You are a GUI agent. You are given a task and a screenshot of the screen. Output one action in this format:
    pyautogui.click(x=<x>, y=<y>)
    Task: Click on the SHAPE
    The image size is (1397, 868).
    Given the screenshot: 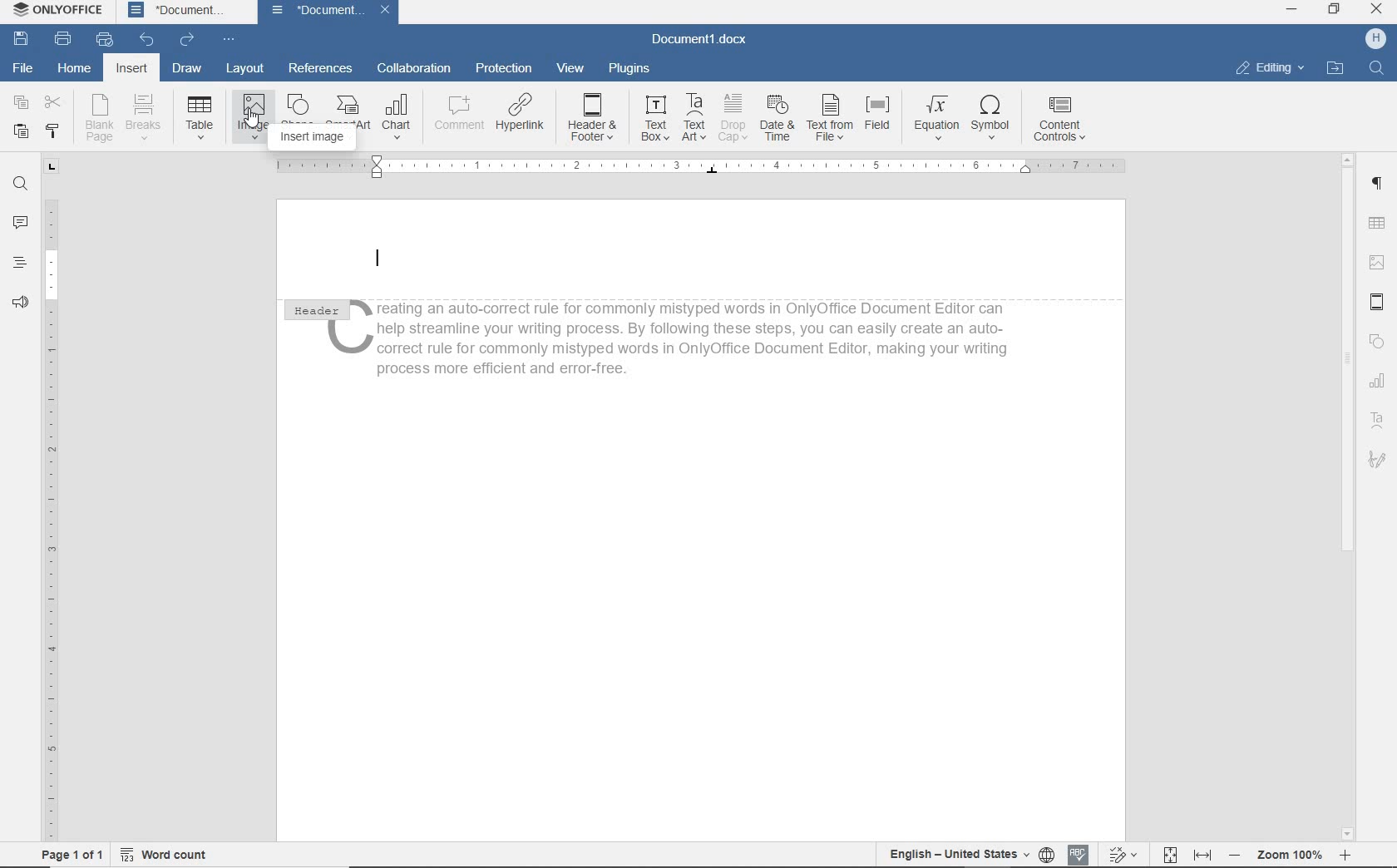 What is the action you would take?
    pyautogui.click(x=299, y=104)
    